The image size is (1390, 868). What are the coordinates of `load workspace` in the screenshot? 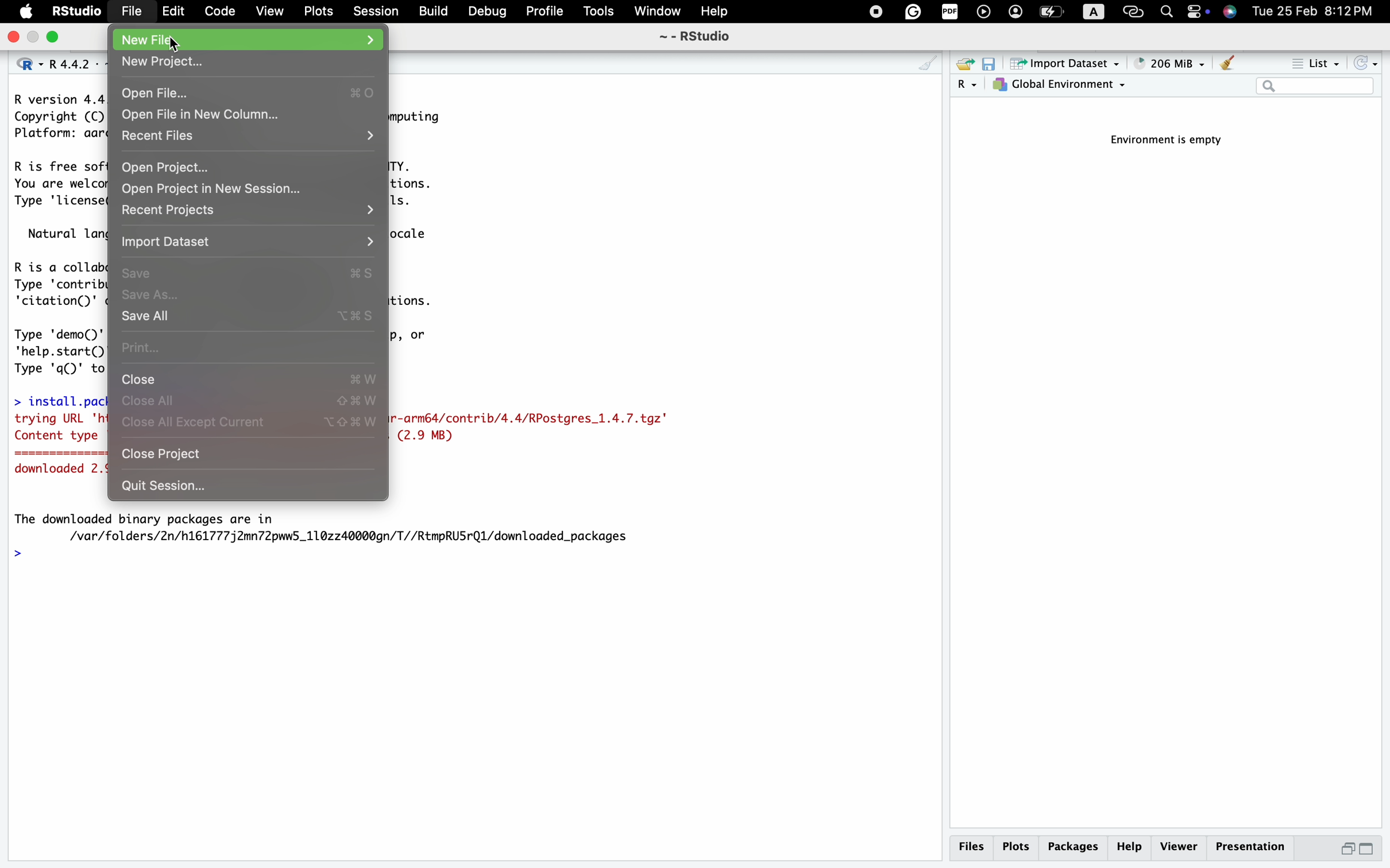 It's located at (964, 65).